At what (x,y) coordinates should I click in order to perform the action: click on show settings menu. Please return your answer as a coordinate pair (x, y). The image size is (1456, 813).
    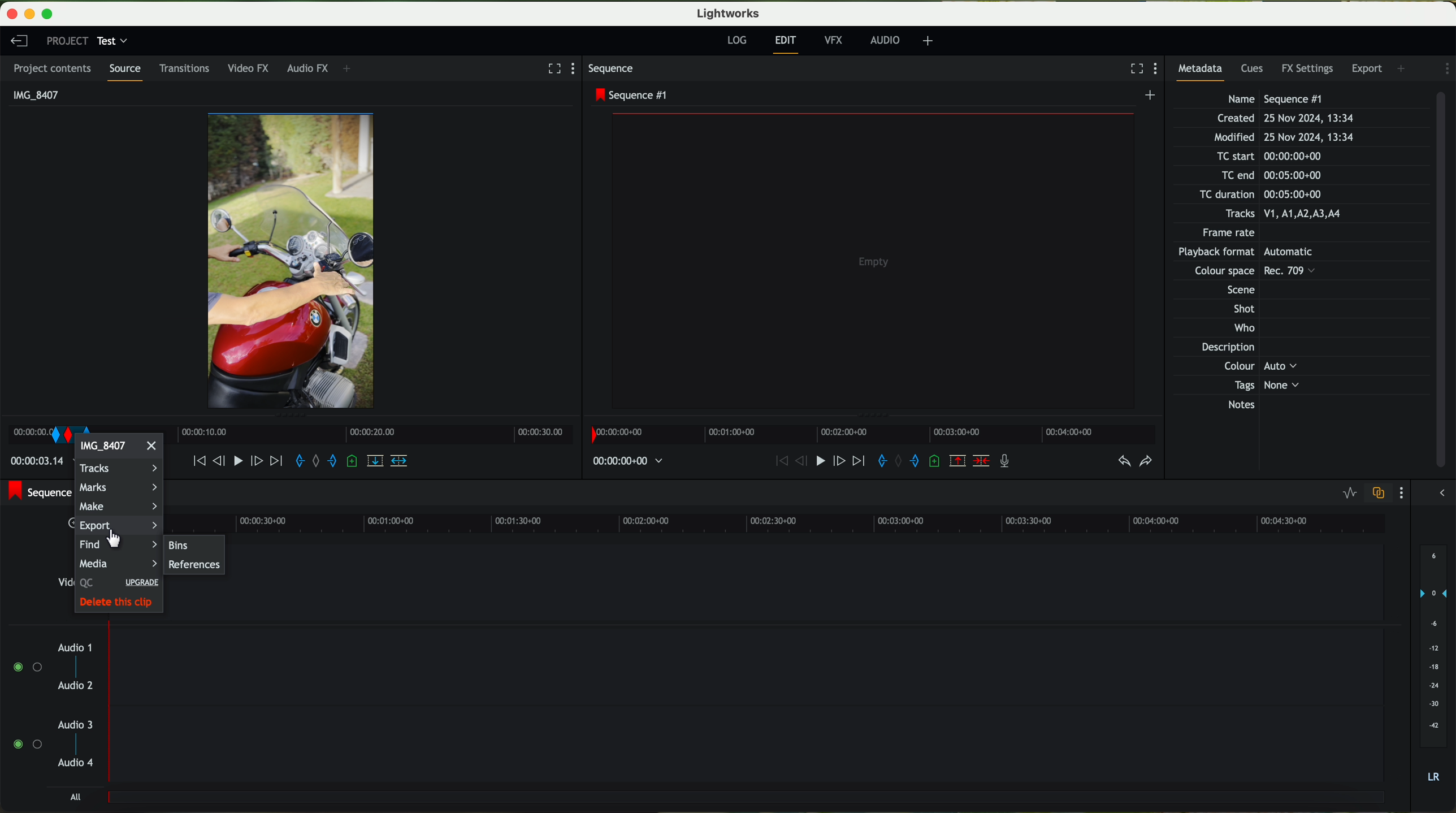
    Looking at the image, I should click on (1158, 70).